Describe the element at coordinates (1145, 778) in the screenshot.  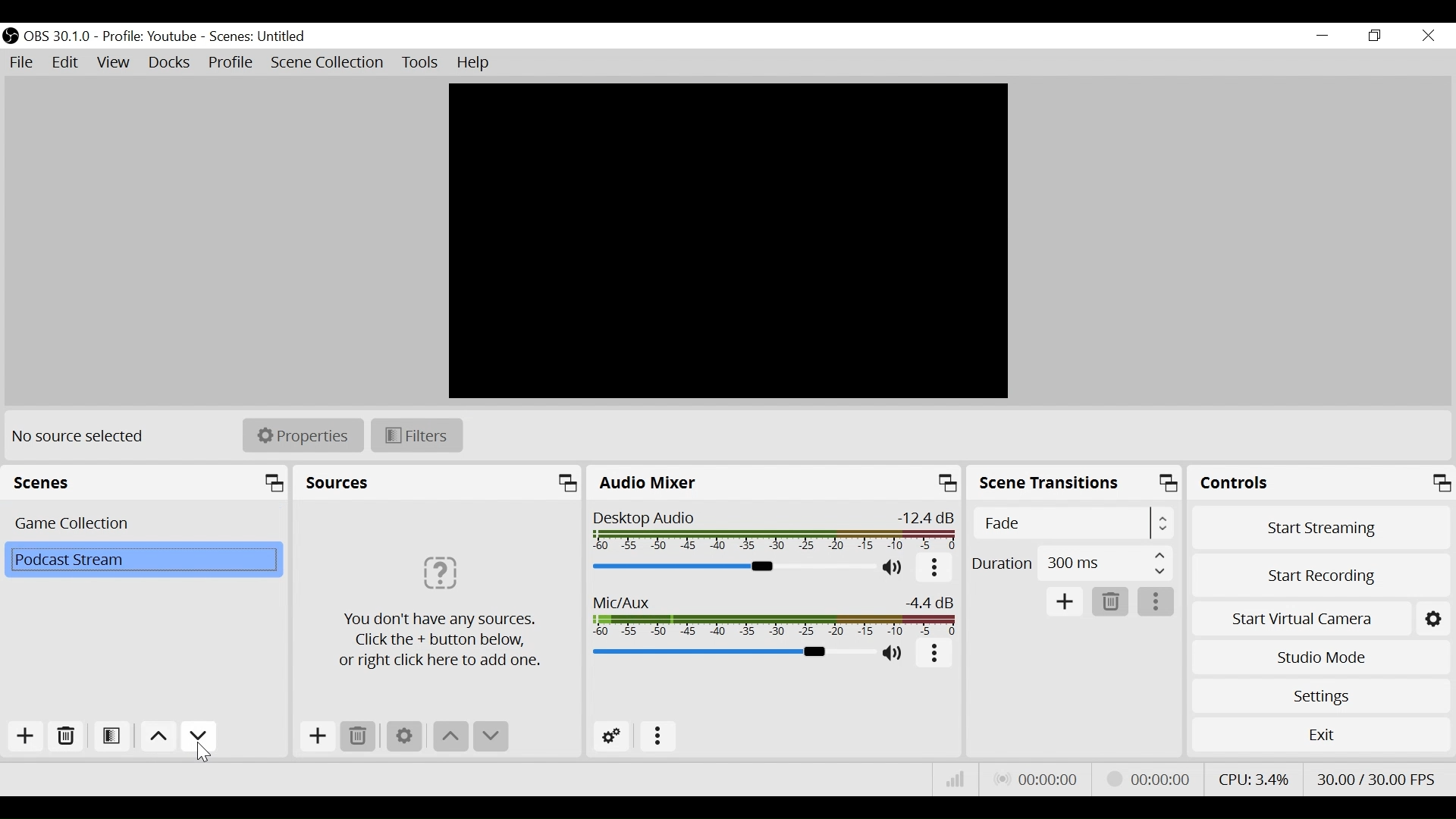
I see `Streaming Status` at that location.